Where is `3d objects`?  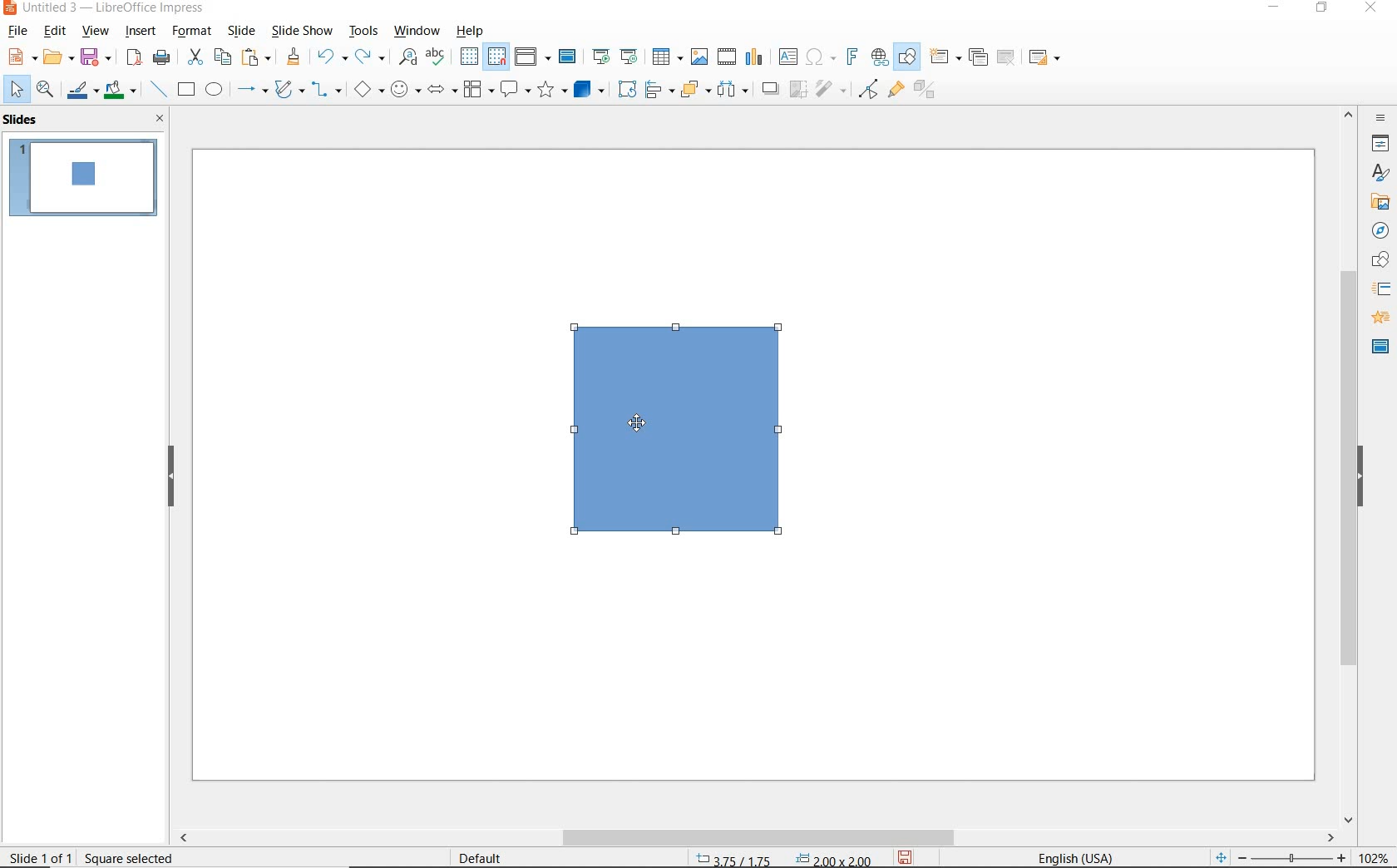 3d objects is located at coordinates (589, 88).